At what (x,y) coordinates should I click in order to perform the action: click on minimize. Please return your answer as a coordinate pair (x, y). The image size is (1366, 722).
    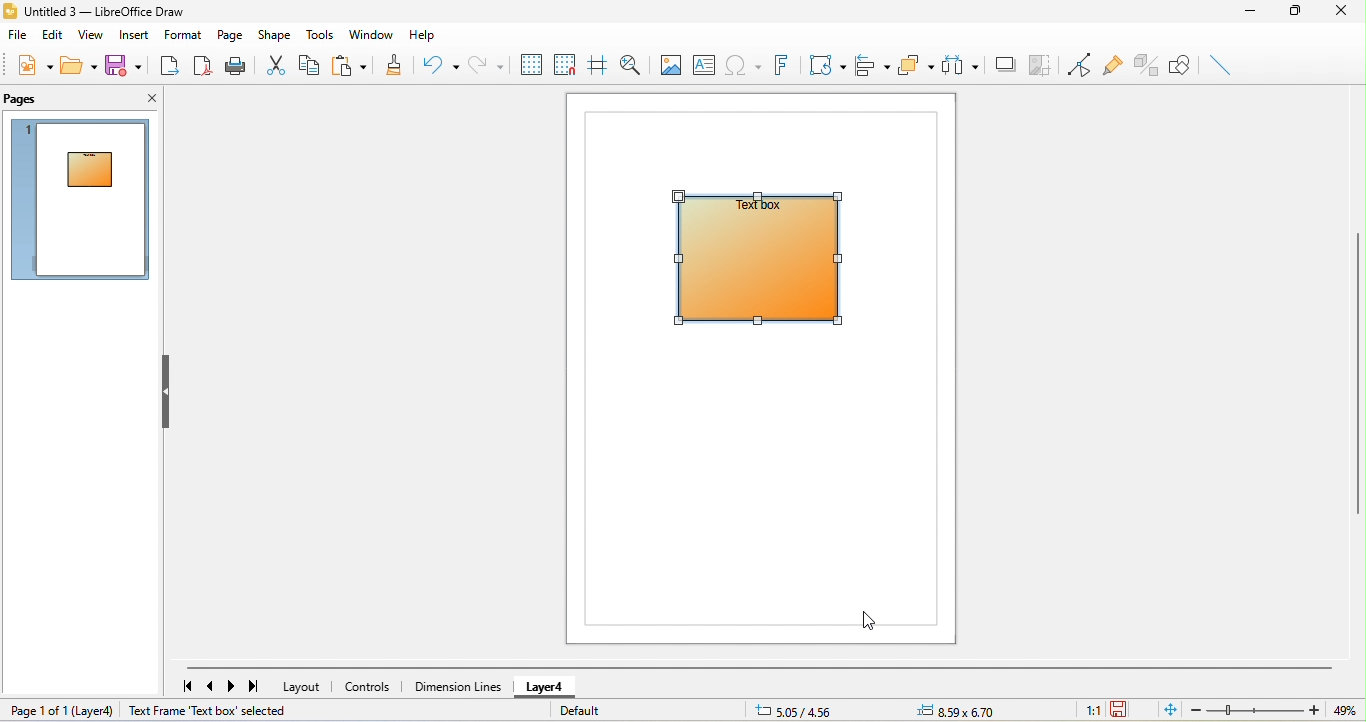
    Looking at the image, I should click on (1253, 11).